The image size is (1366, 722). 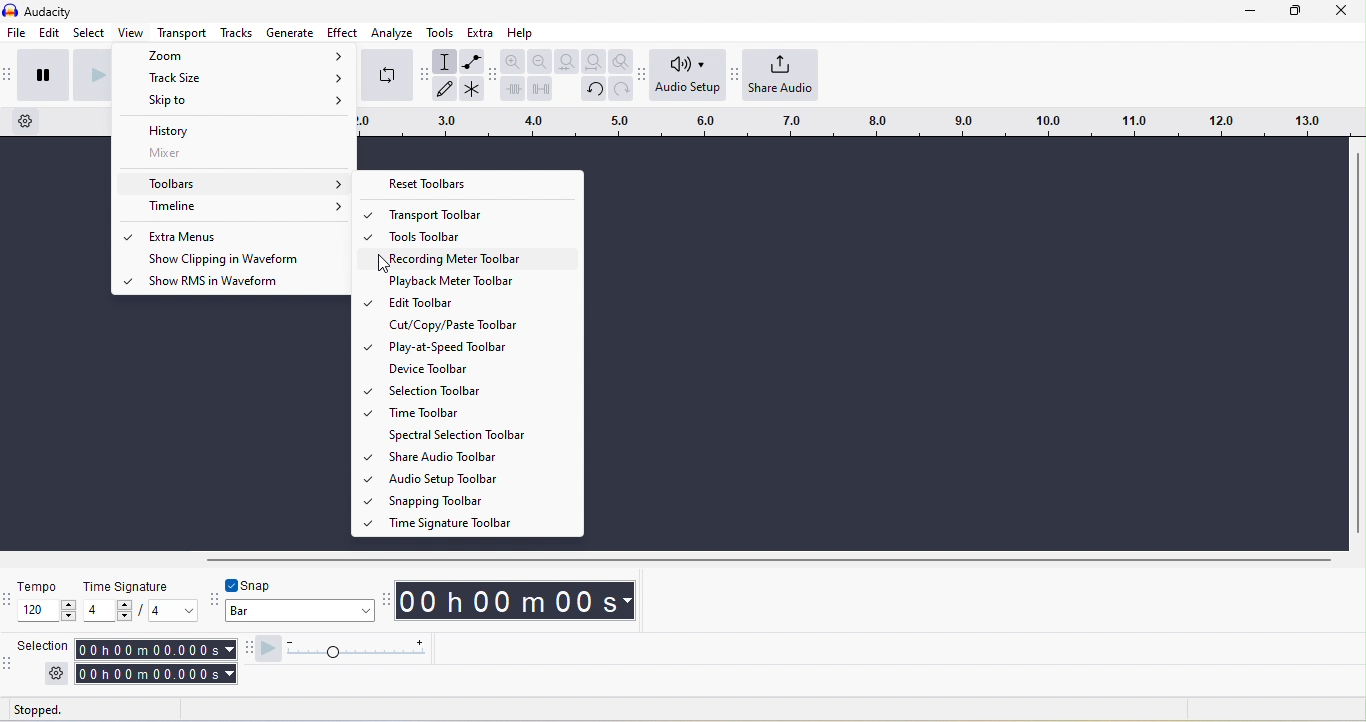 What do you see at coordinates (478, 456) in the screenshot?
I see `Share audio toolbar` at bounding box center [478, 456].